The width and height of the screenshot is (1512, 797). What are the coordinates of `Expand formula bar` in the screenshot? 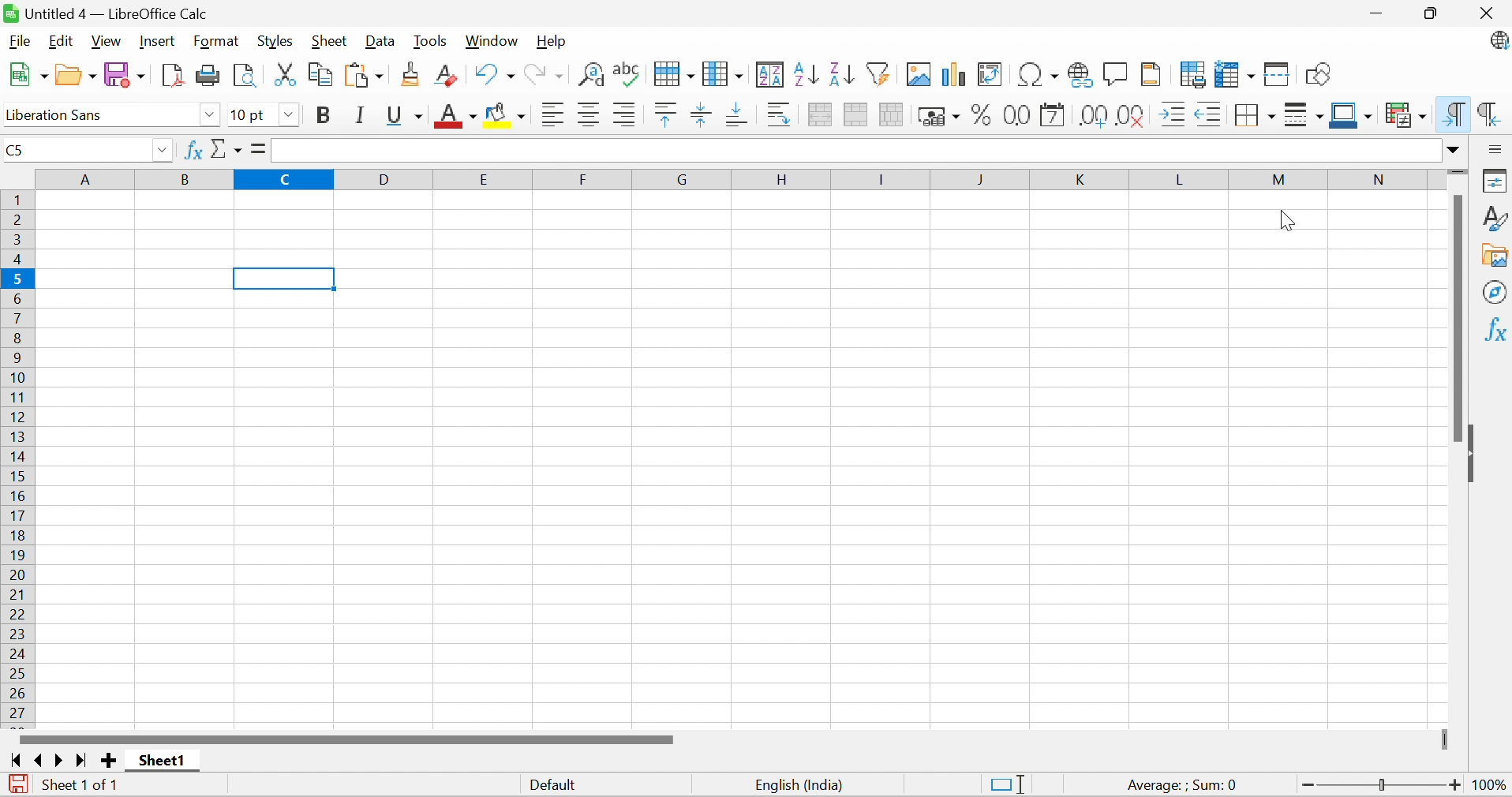 It's located at (1454, 150).